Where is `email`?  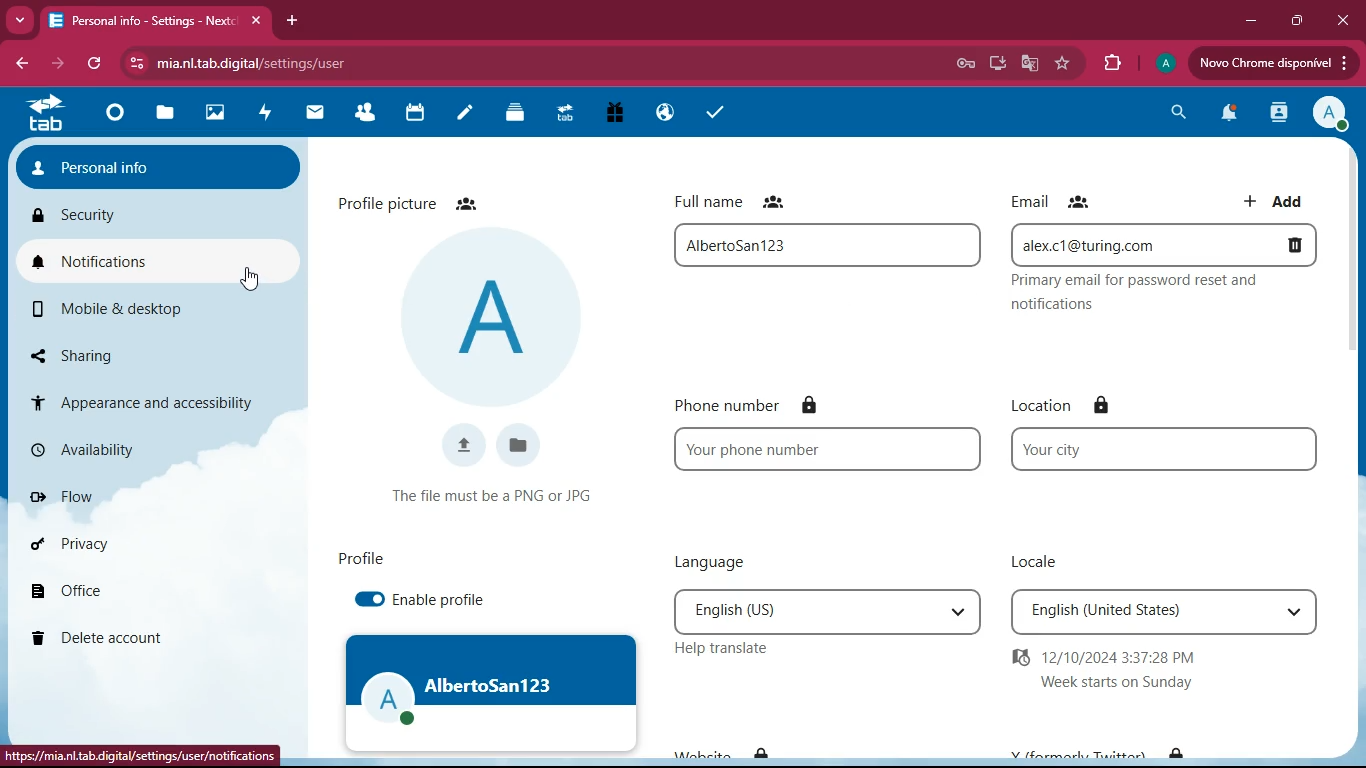 email is located at coordinates (1165, 247).